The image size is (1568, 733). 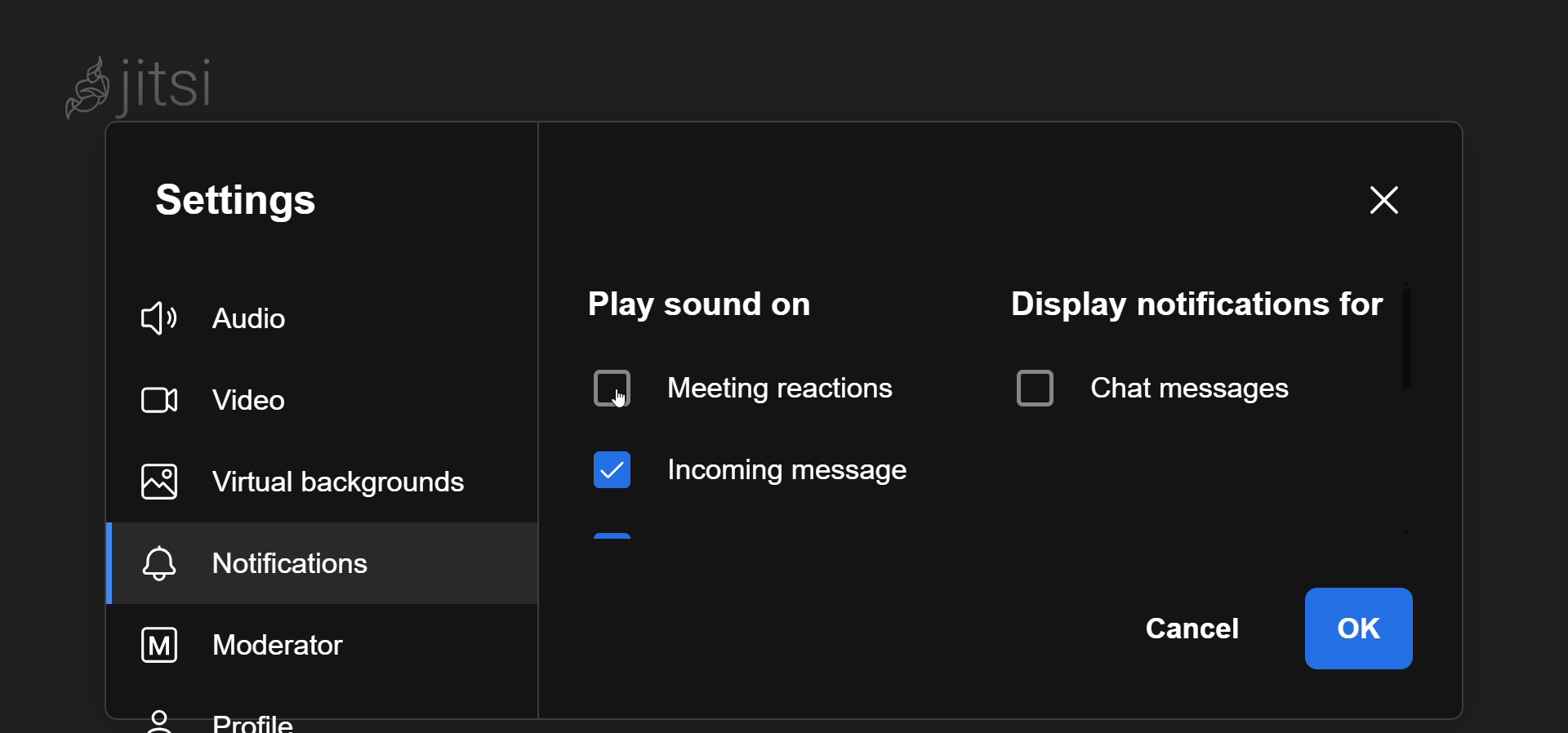 What do you see at coordinates (149, 84) in the screenshot?
I see `Jitsi` at bounding box center [149, 84].